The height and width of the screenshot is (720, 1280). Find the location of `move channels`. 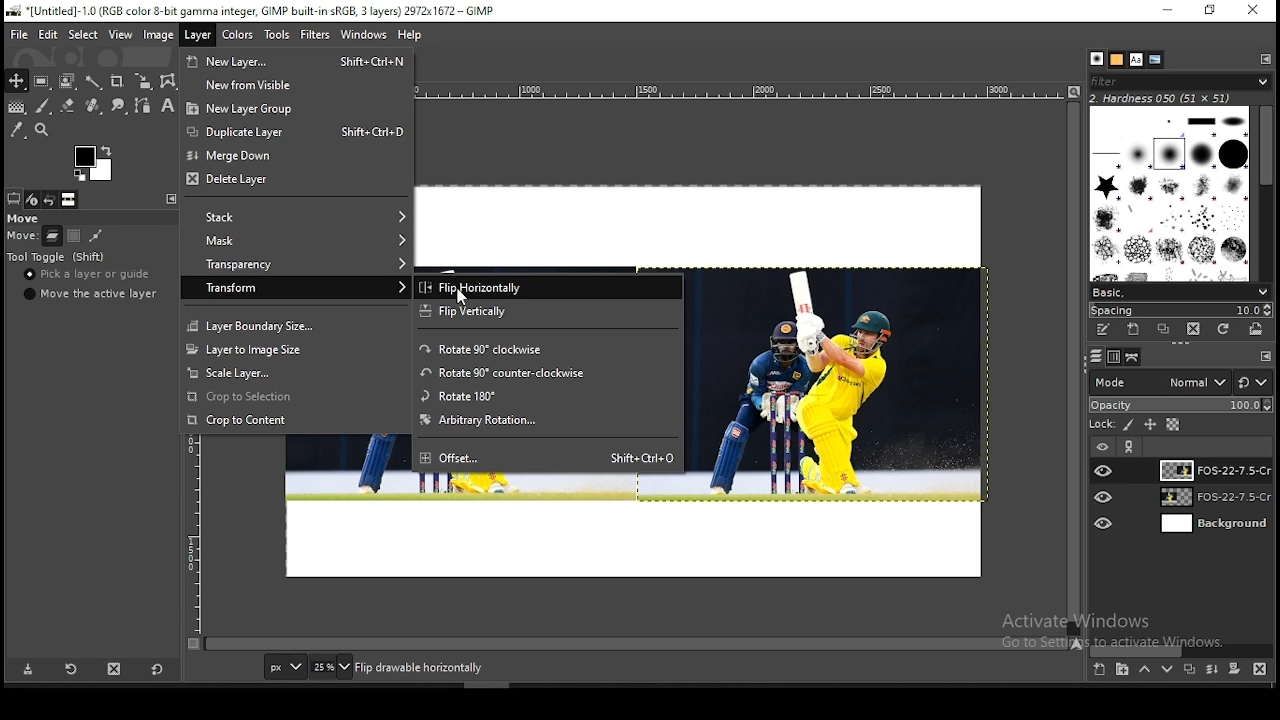

move channels is located at coordinates (73, 236).